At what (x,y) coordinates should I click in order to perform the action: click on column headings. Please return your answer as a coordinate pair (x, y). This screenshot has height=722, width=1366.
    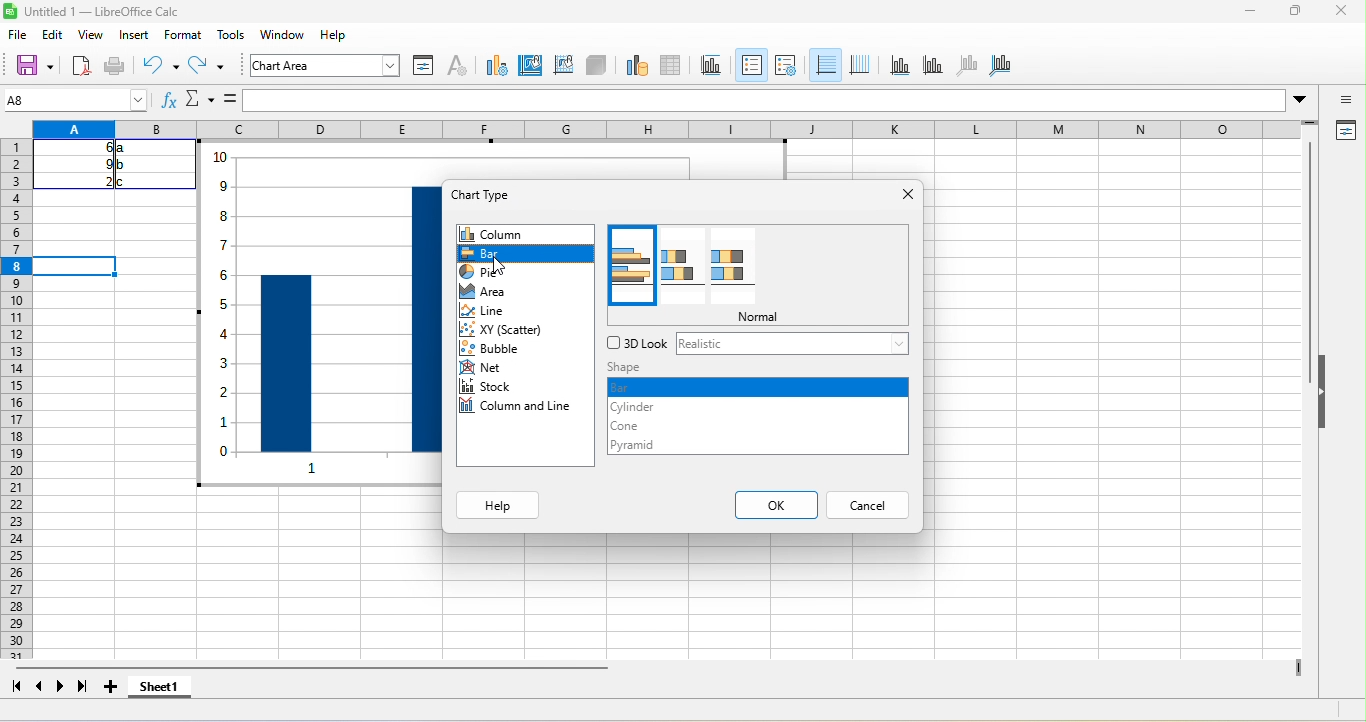
    Looking at the image, I should click on (678, 129).